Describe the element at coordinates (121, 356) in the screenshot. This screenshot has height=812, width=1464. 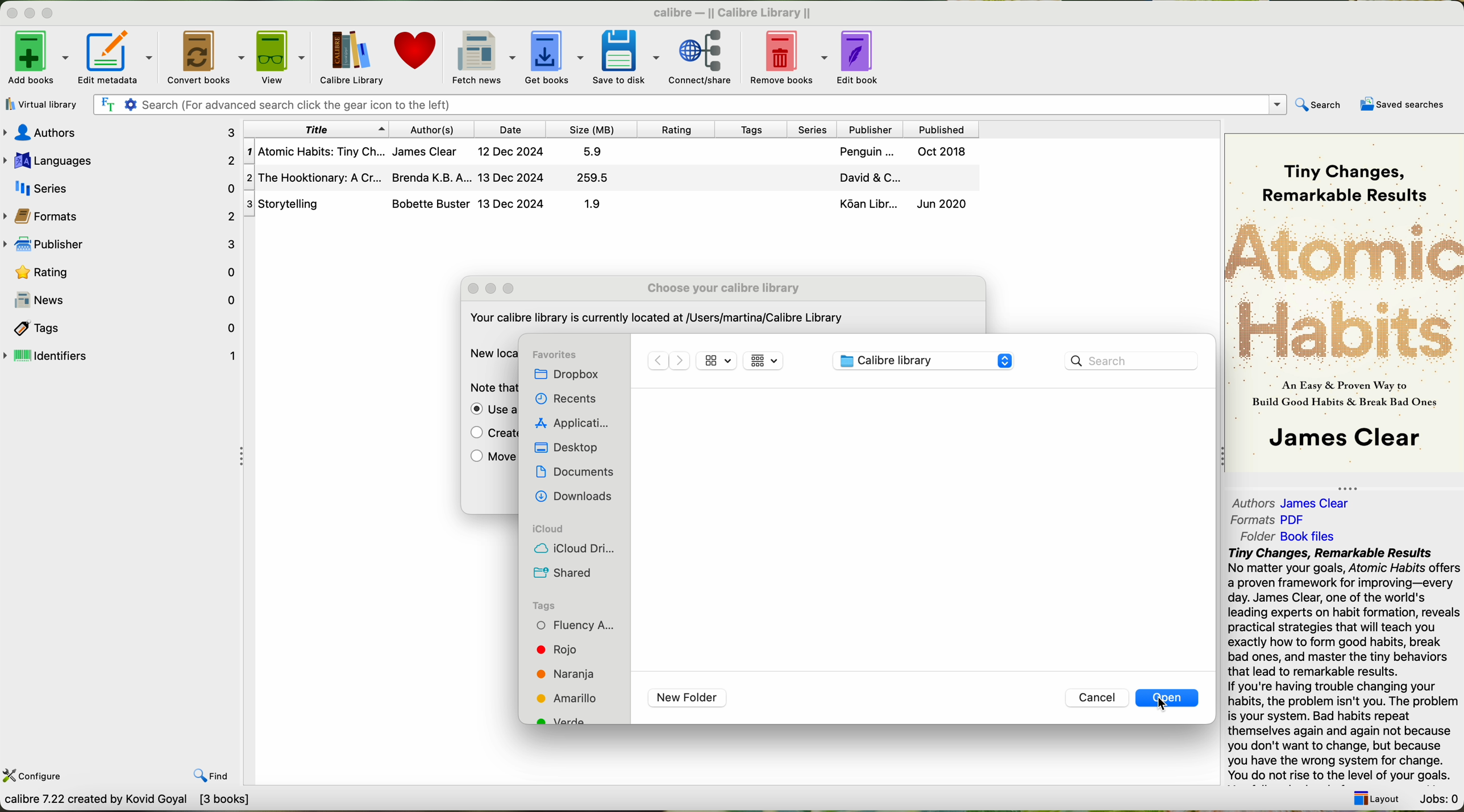
I see `identifiers` at that location.